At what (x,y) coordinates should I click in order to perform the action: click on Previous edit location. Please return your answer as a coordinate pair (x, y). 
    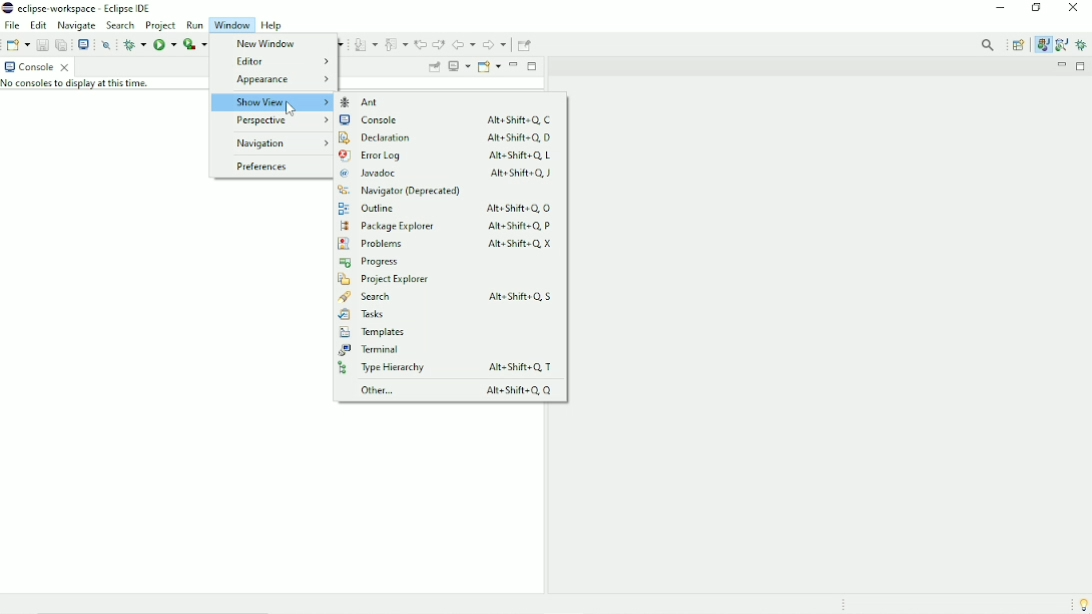
    Looking at the image, I should click on (420, 45).